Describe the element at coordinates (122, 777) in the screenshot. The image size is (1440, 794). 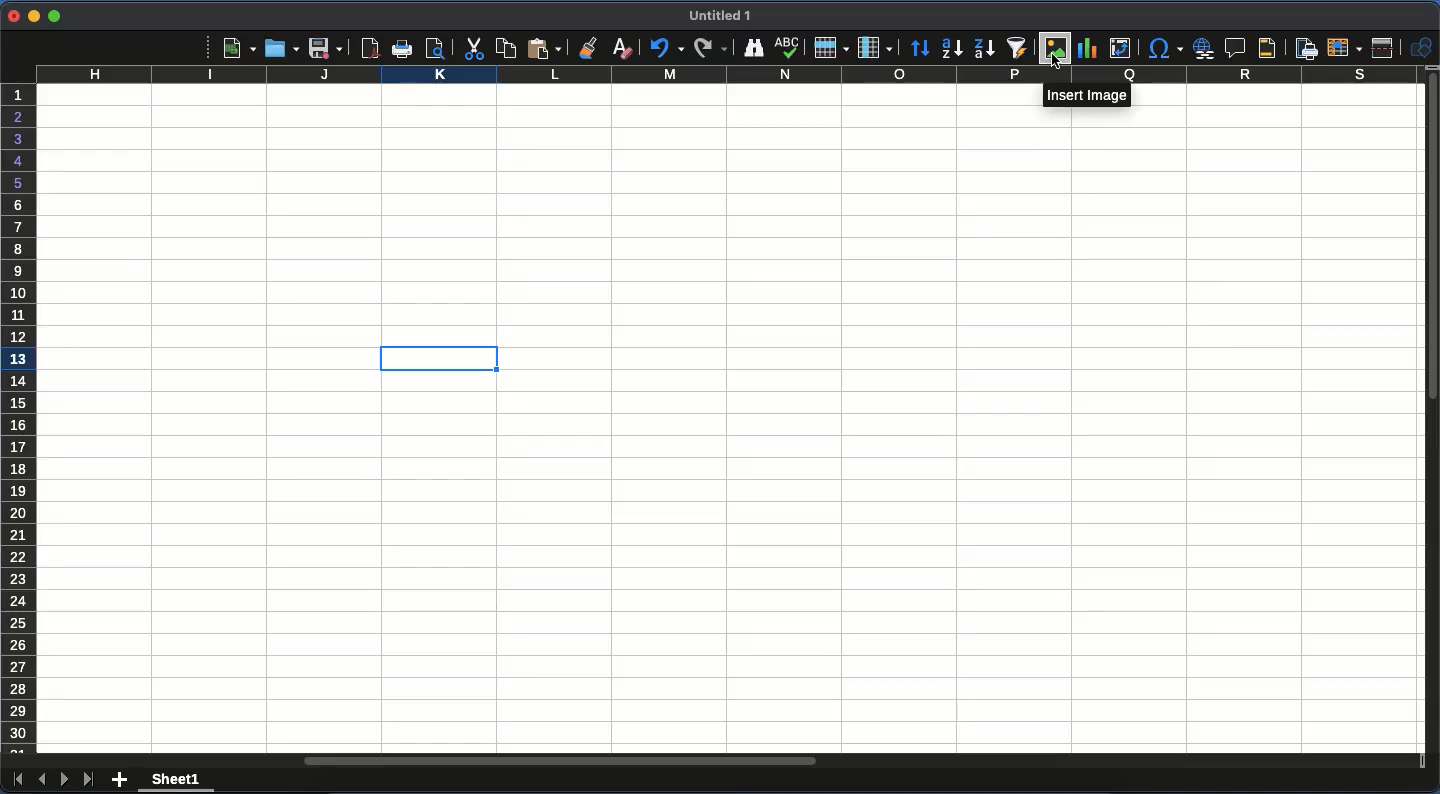
I see `add` at that location.